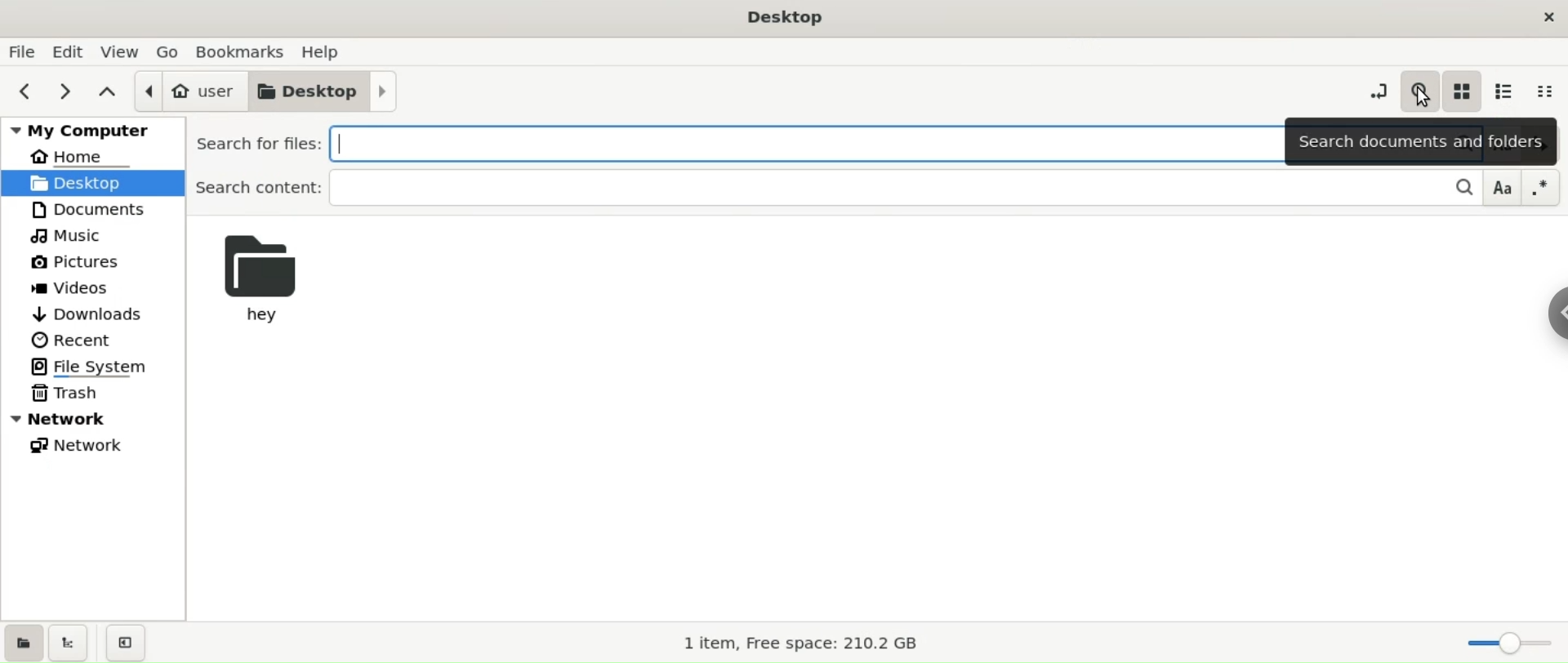  Describe the element at coordinates (265, 277) in the screenshot. I see `hey` at that location.